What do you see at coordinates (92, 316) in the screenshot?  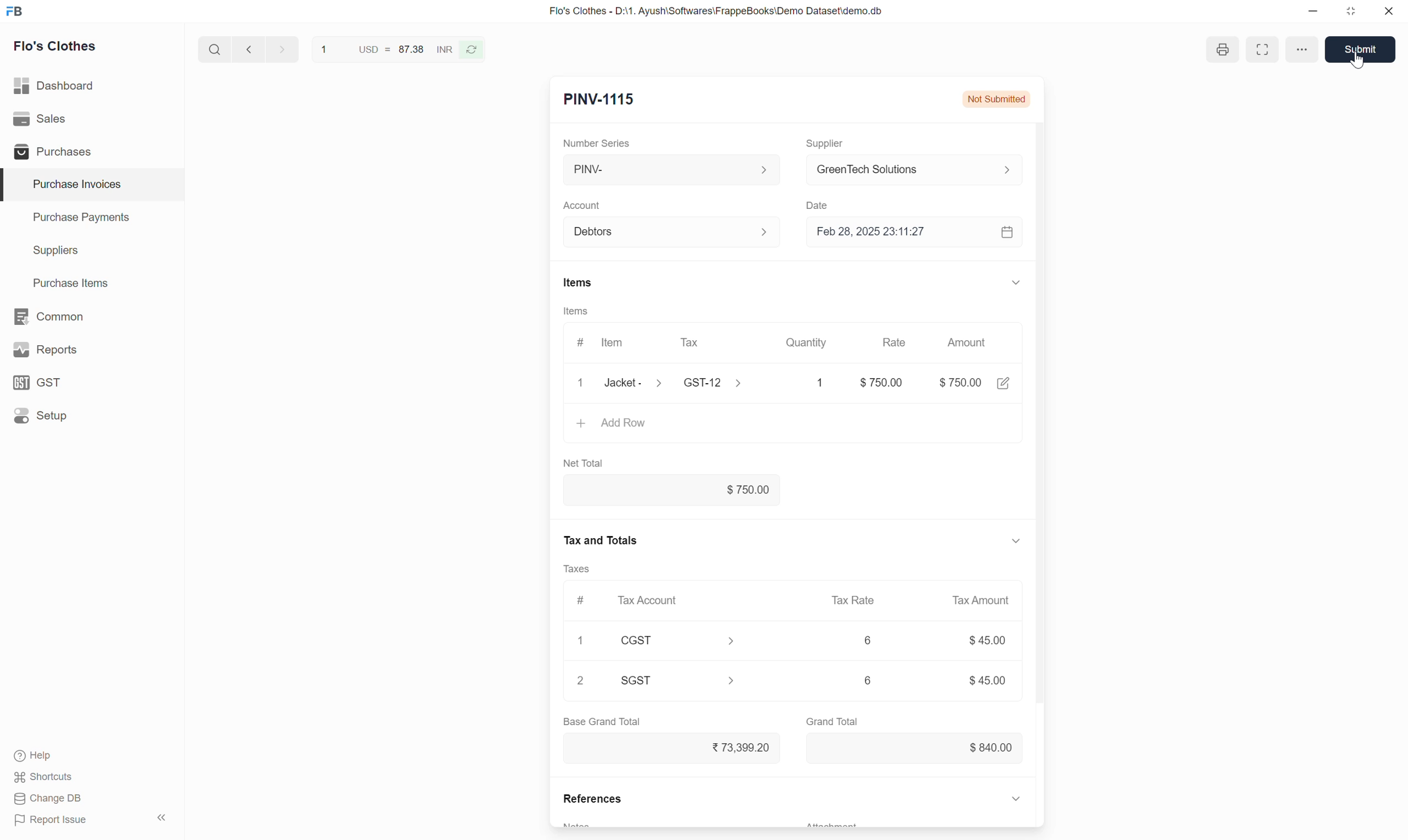 I see `Common` at bounding box center [92, 316].